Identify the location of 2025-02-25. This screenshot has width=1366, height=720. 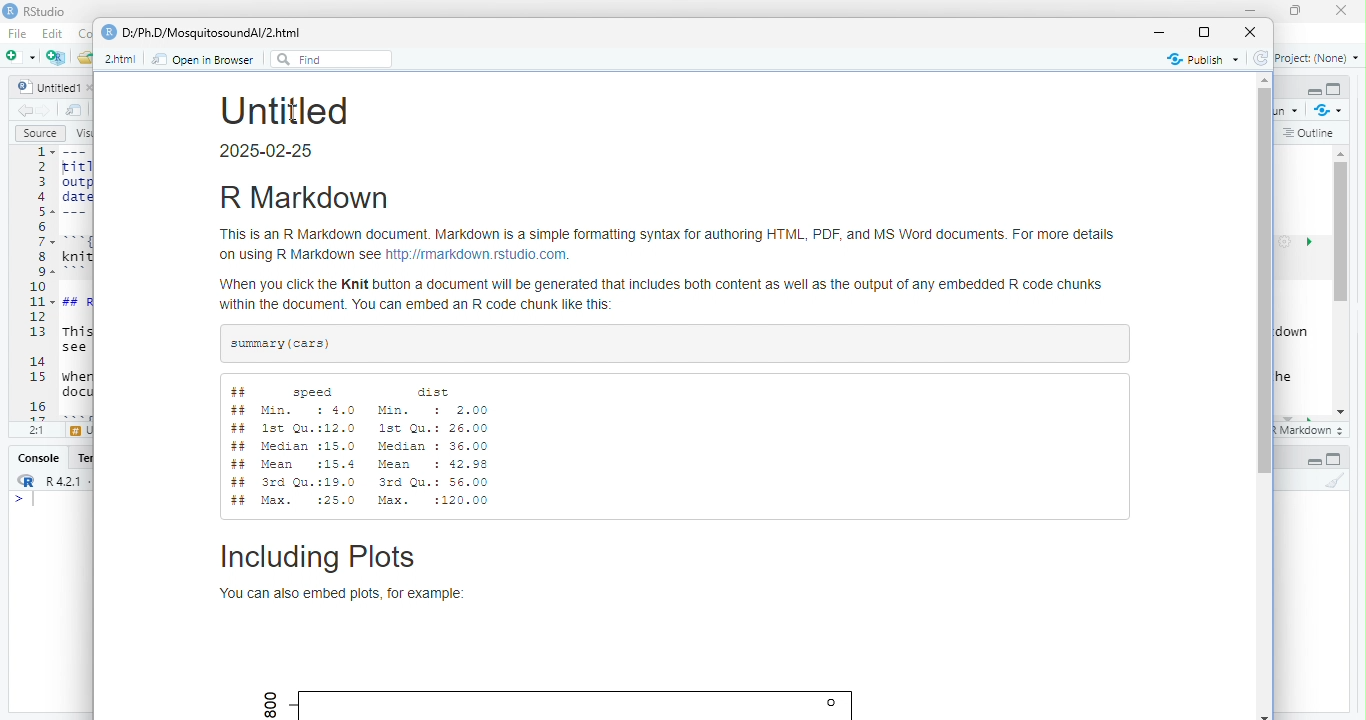
(269, 151).